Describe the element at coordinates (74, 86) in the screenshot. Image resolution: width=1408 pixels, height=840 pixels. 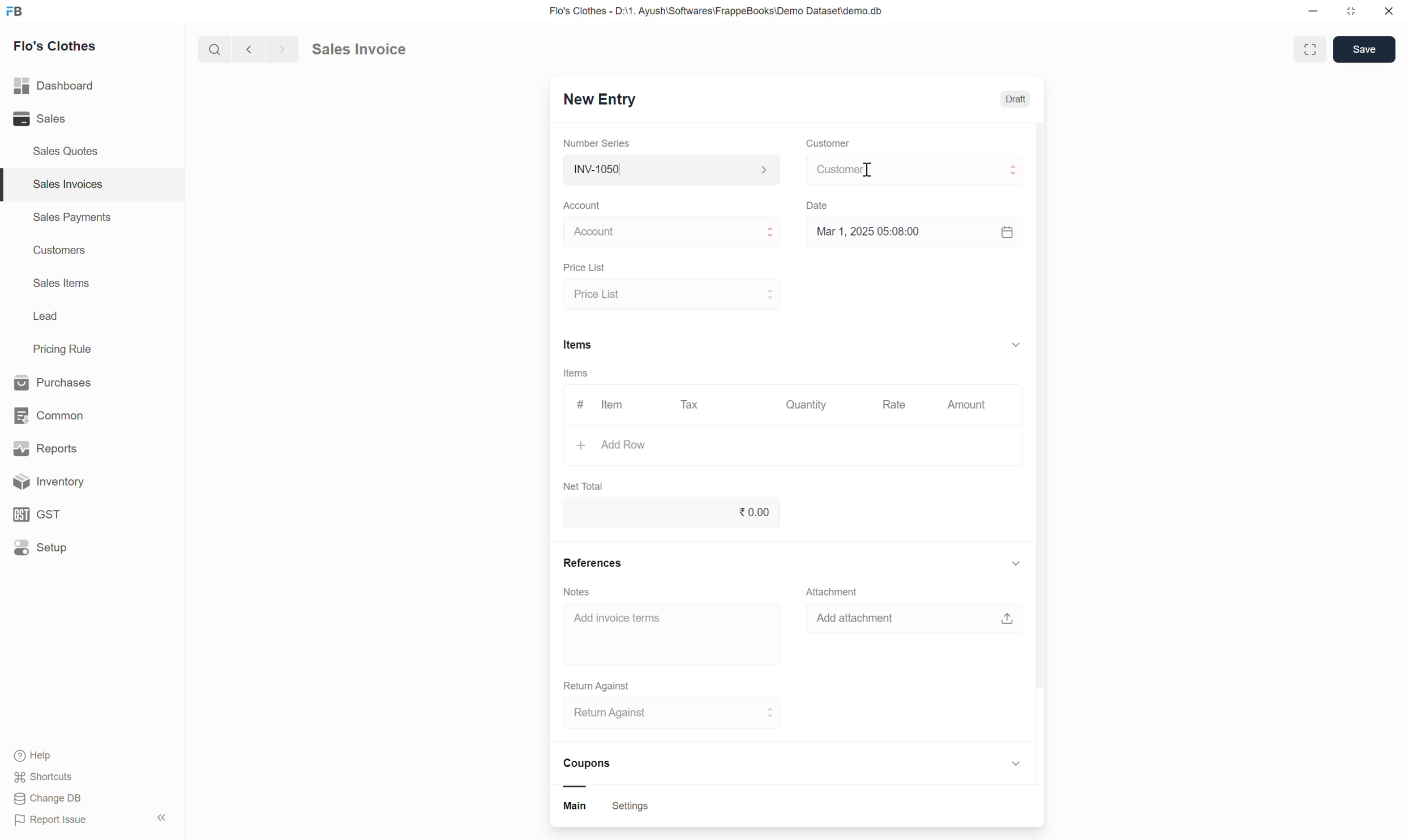
I see `Dashboard ` at that location.